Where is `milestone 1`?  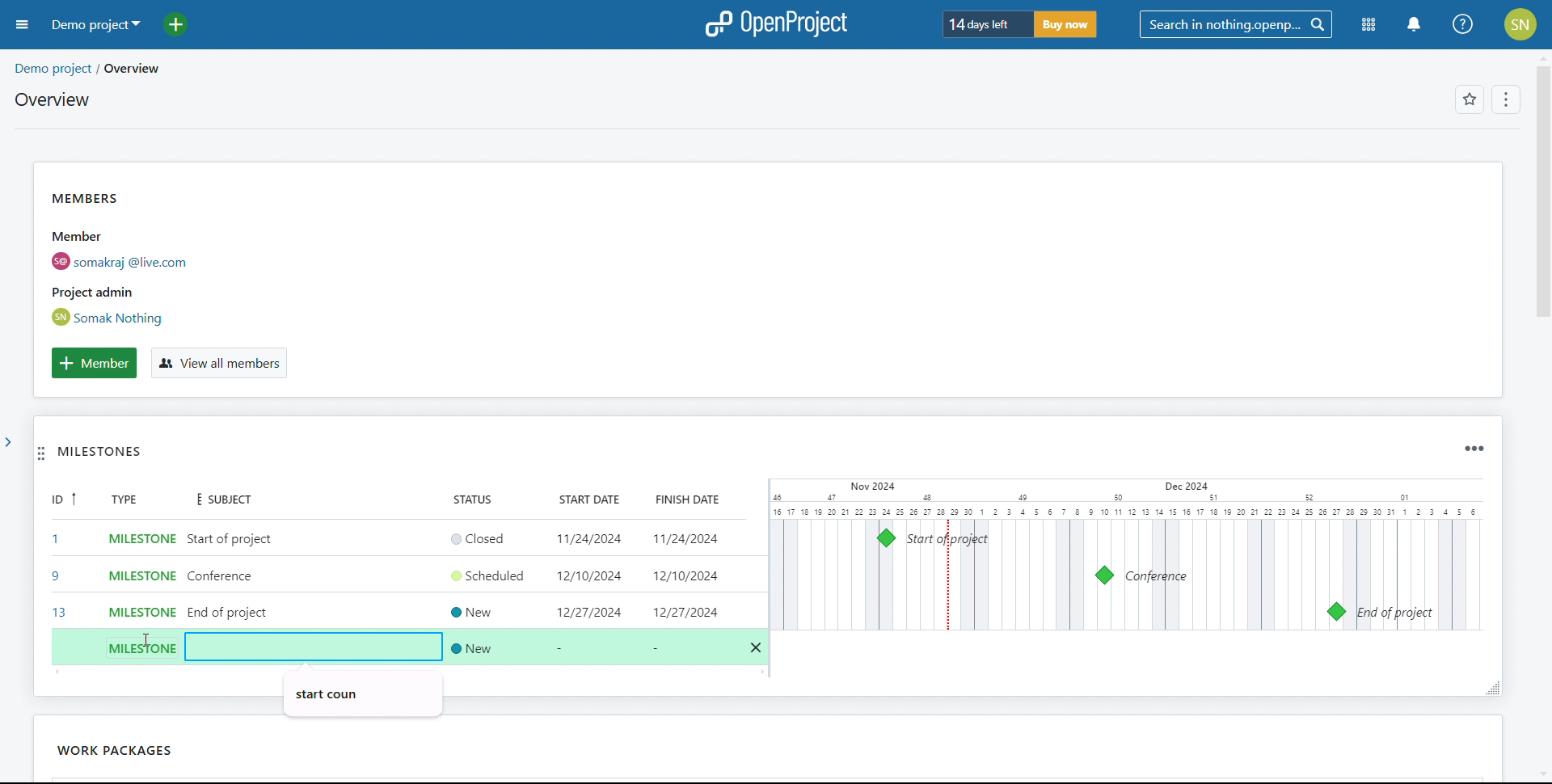 milestone 1 is located at coordinates (886, 538).